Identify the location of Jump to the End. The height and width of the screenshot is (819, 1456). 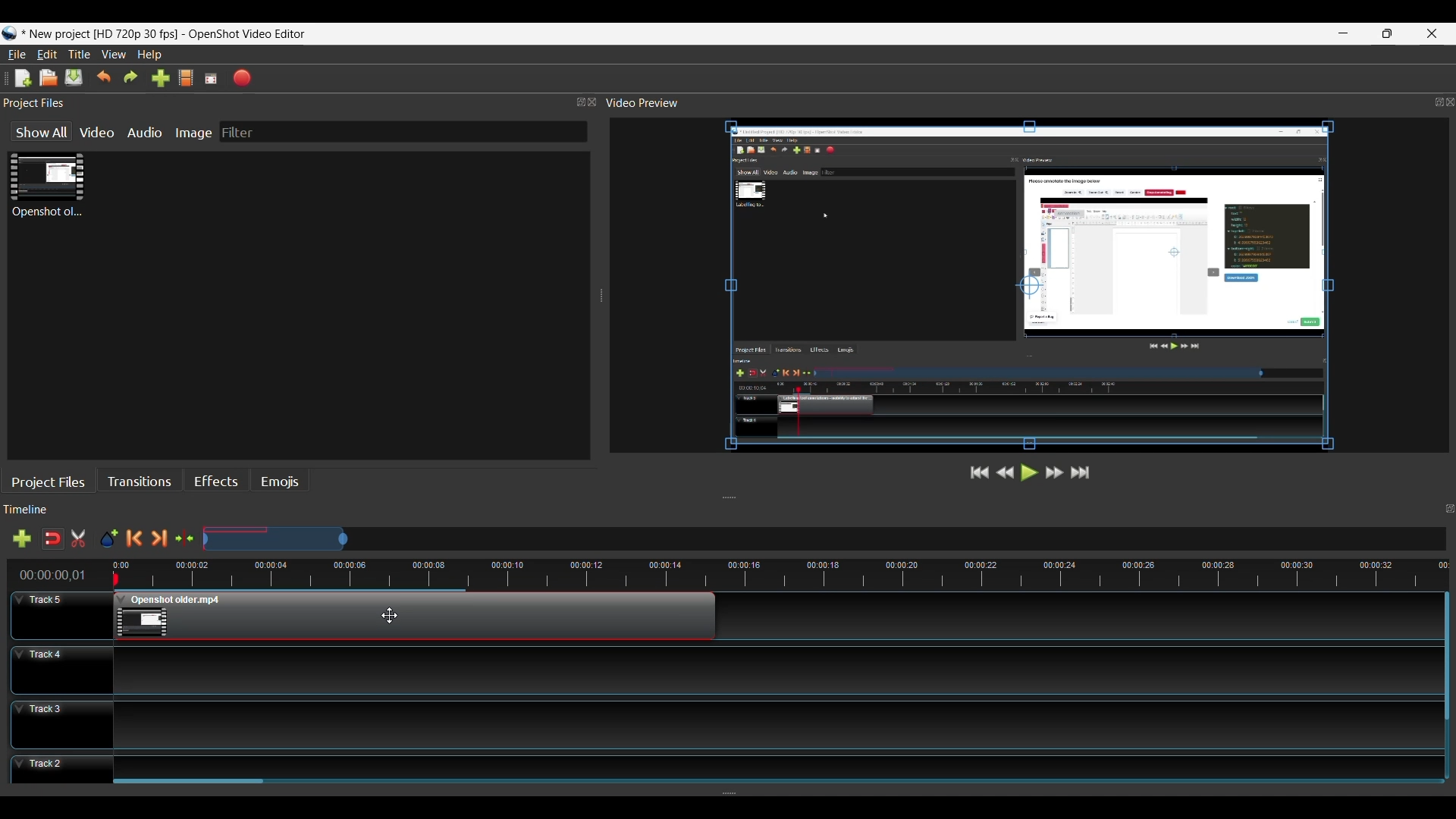
(1081, 473).